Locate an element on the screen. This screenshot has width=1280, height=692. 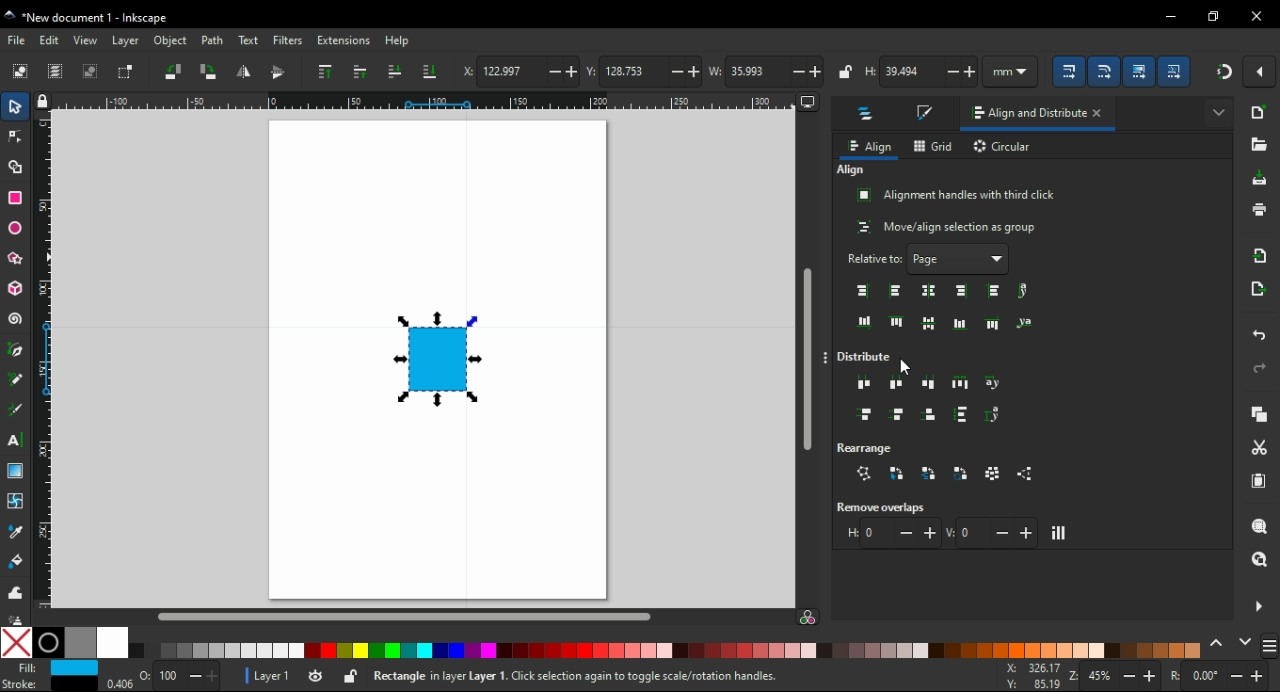
grid is located at coordinates (934, 146).